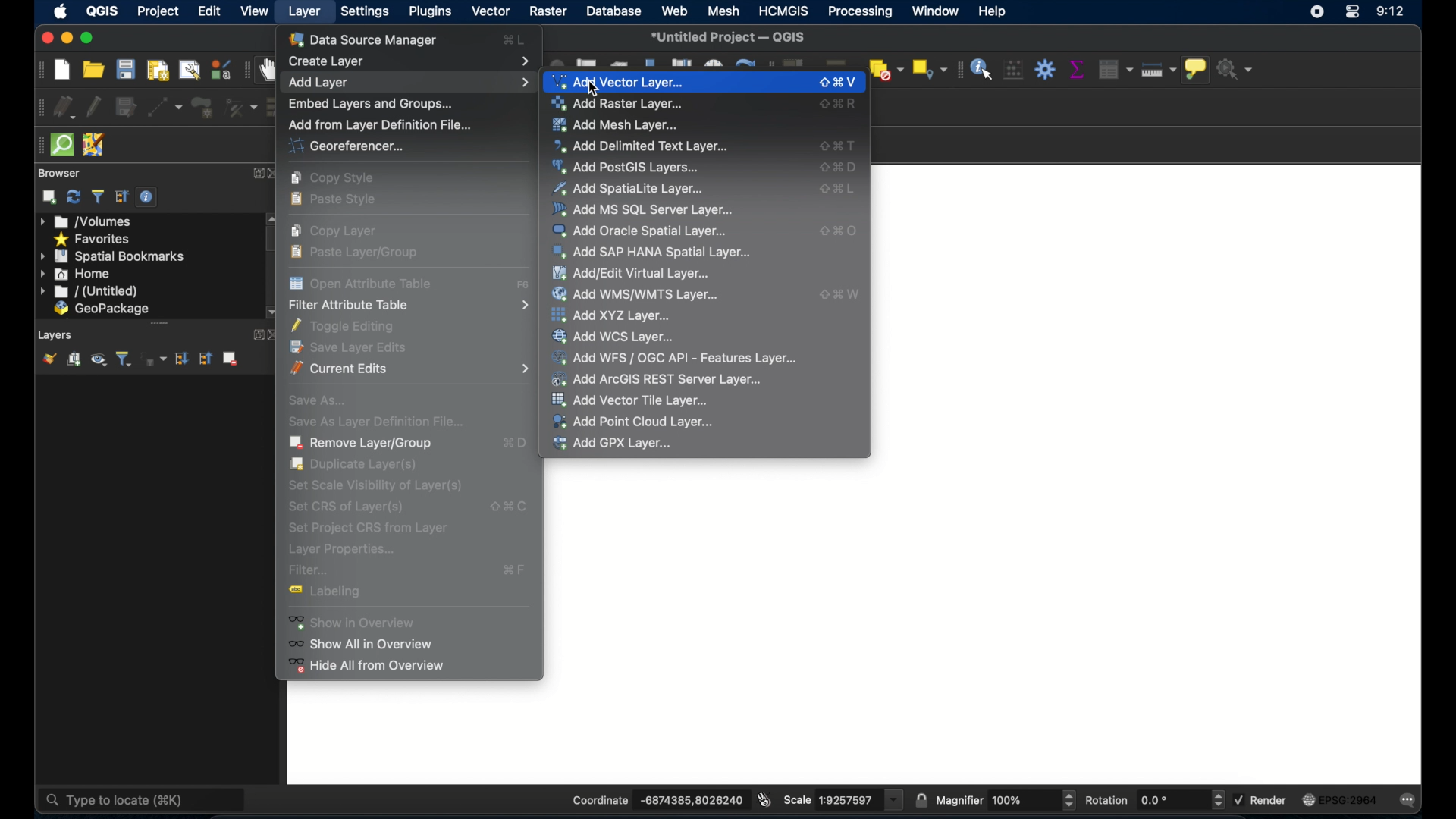 The width and height of the screenshot is (1456, 819). I want to click on messages, so click(1411, 801).